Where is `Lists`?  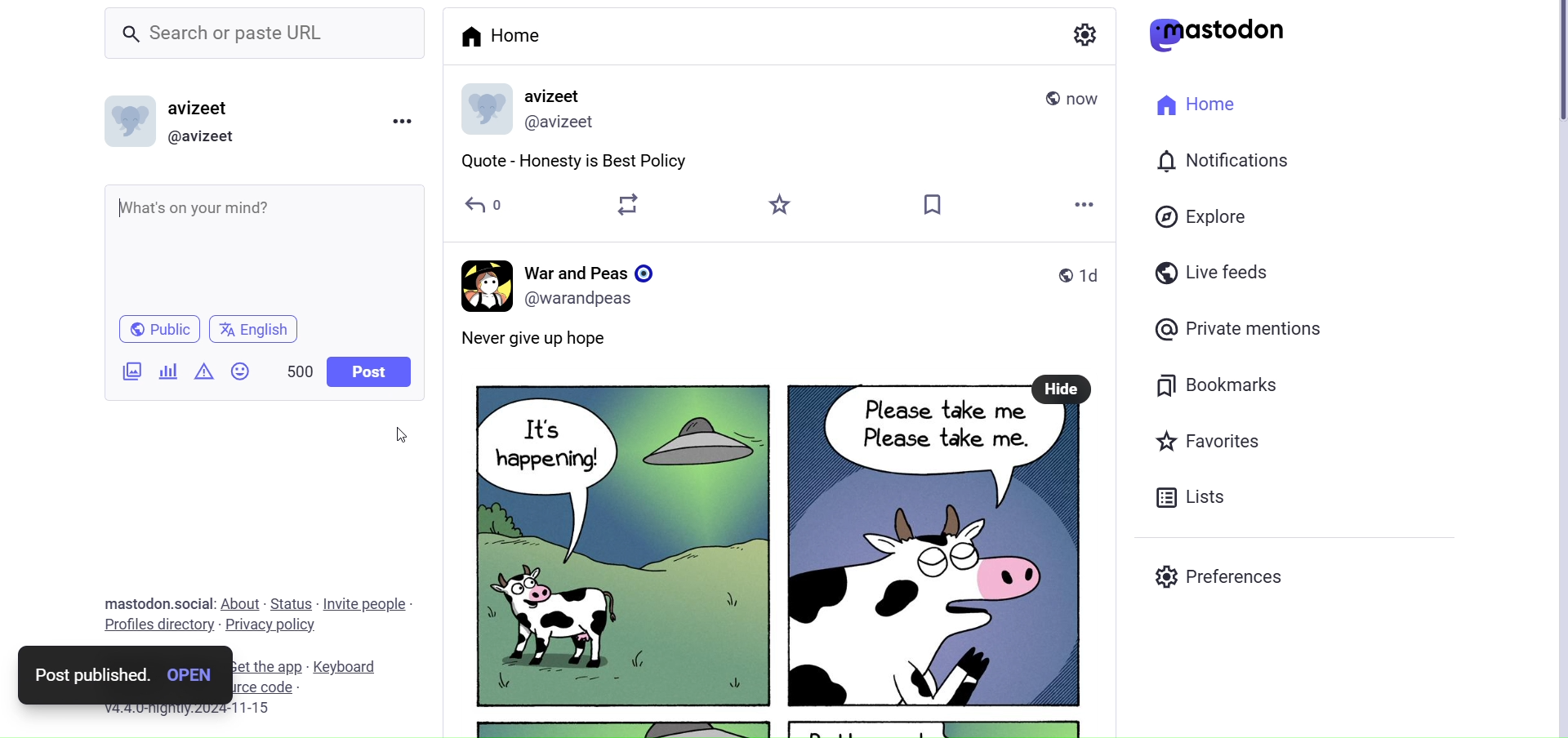 Lists is located at coordinates (1190, 498).